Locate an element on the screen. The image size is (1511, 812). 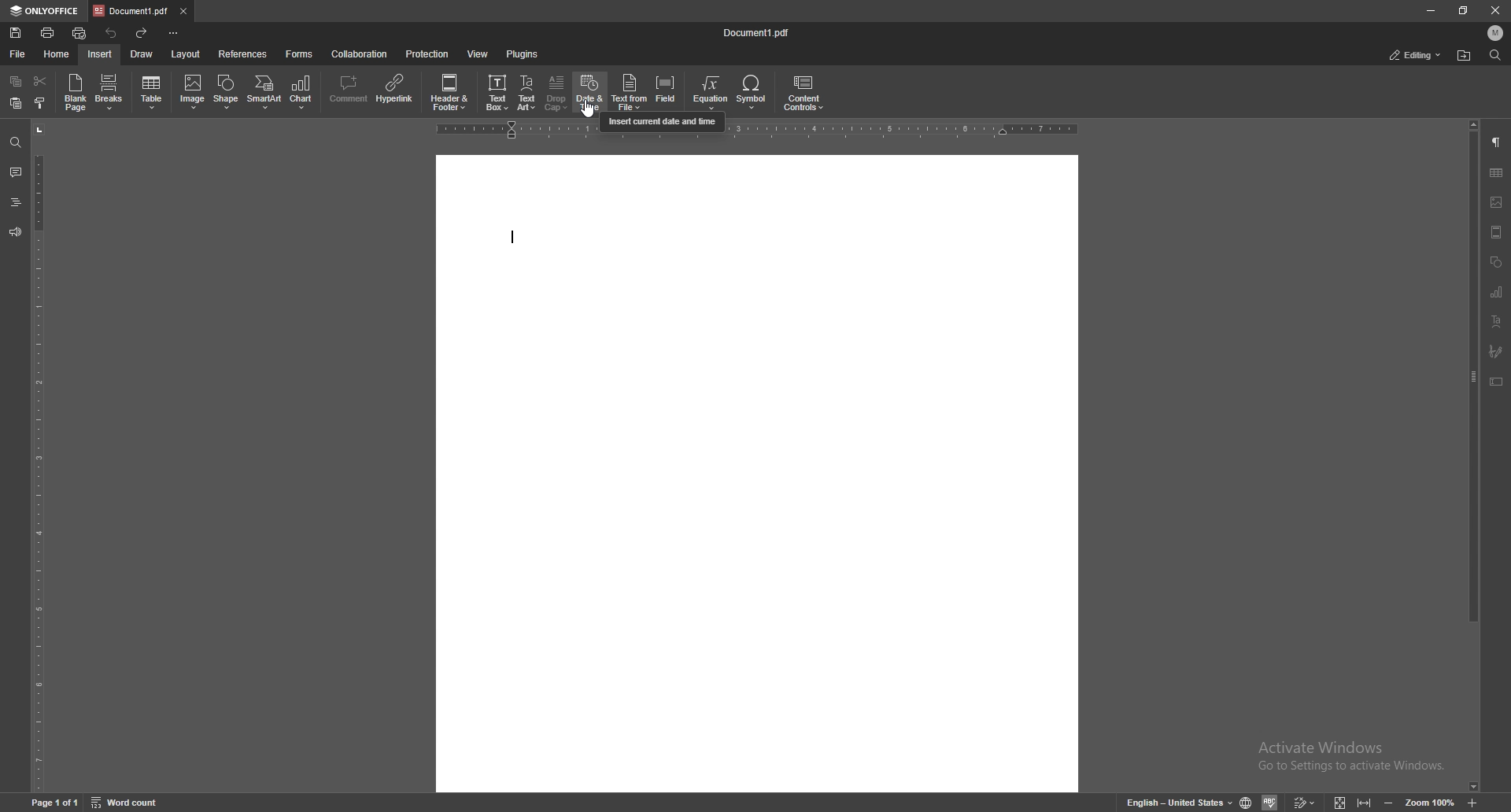
hyperlink is located at coordinates (395, 90).